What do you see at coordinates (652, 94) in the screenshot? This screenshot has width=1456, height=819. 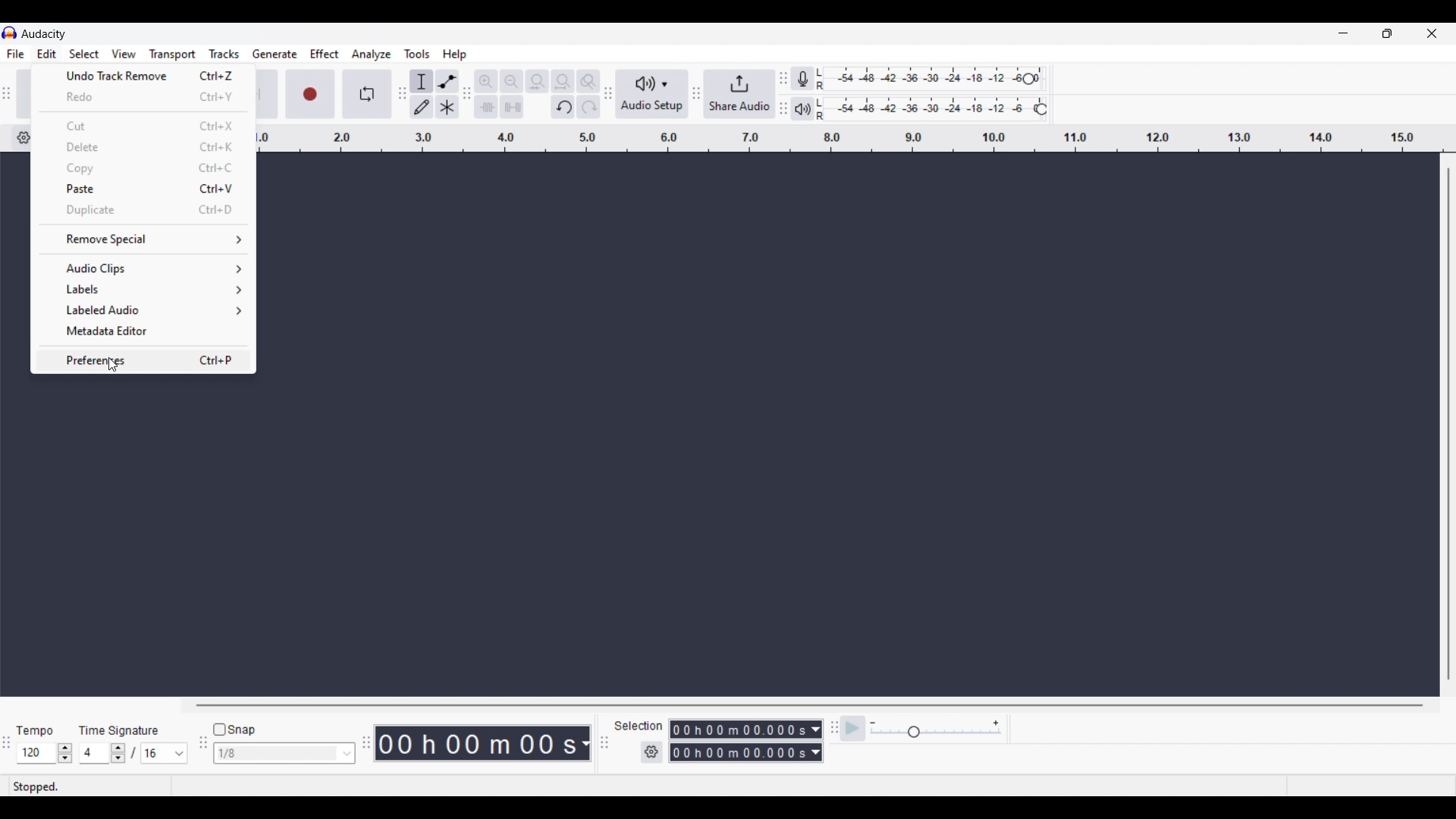 I see `Audio setup` at bounding box center [652, 94].